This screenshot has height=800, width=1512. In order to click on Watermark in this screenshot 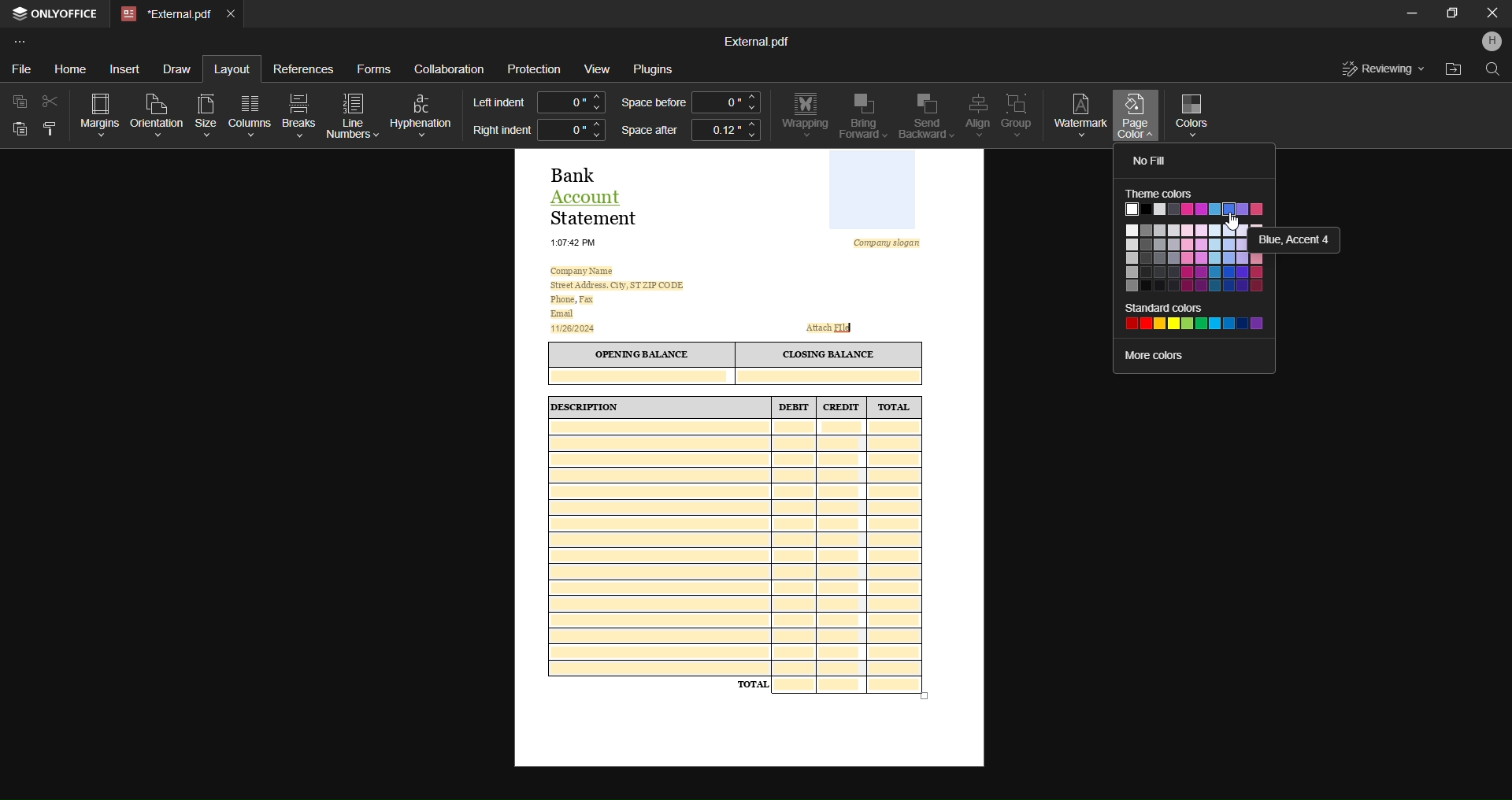, I will do `click(1080, 113)`.